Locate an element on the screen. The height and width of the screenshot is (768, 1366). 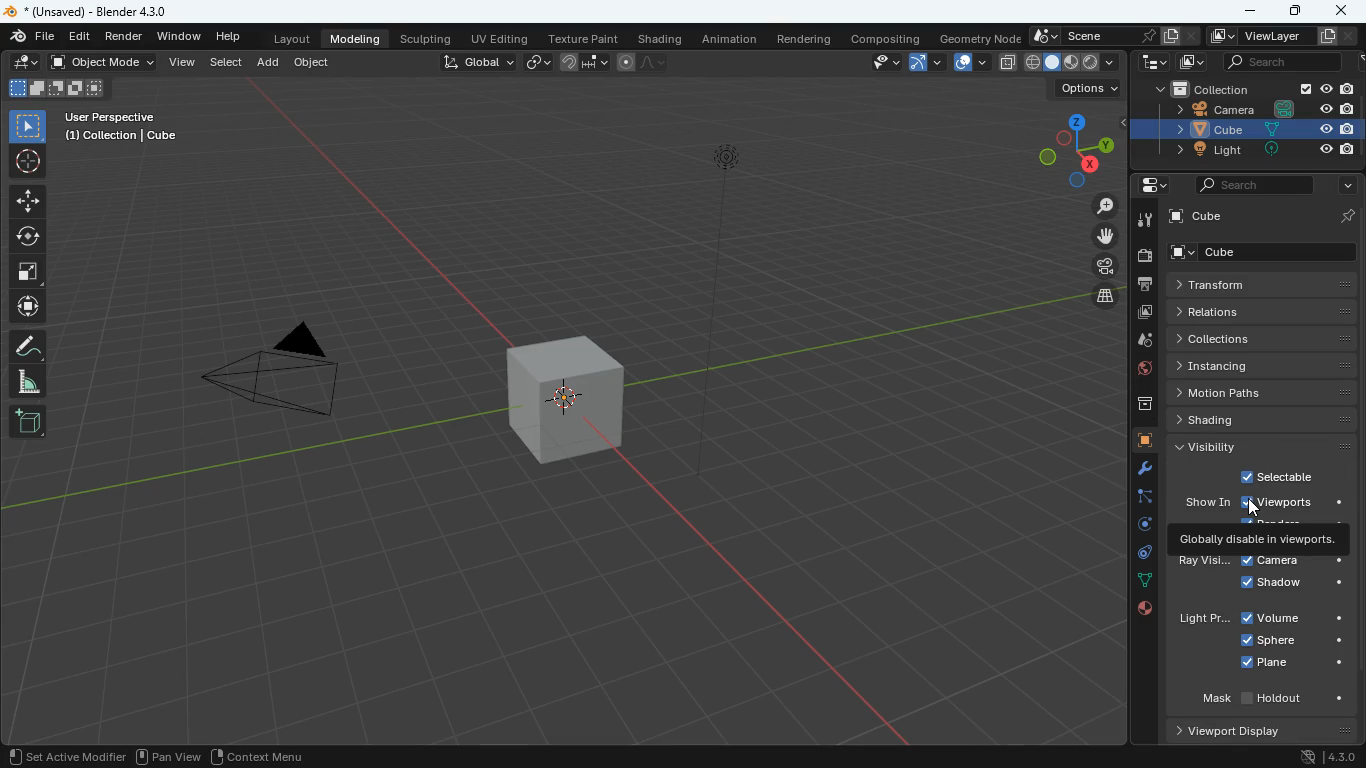
light is located at coordinates (742, 258).